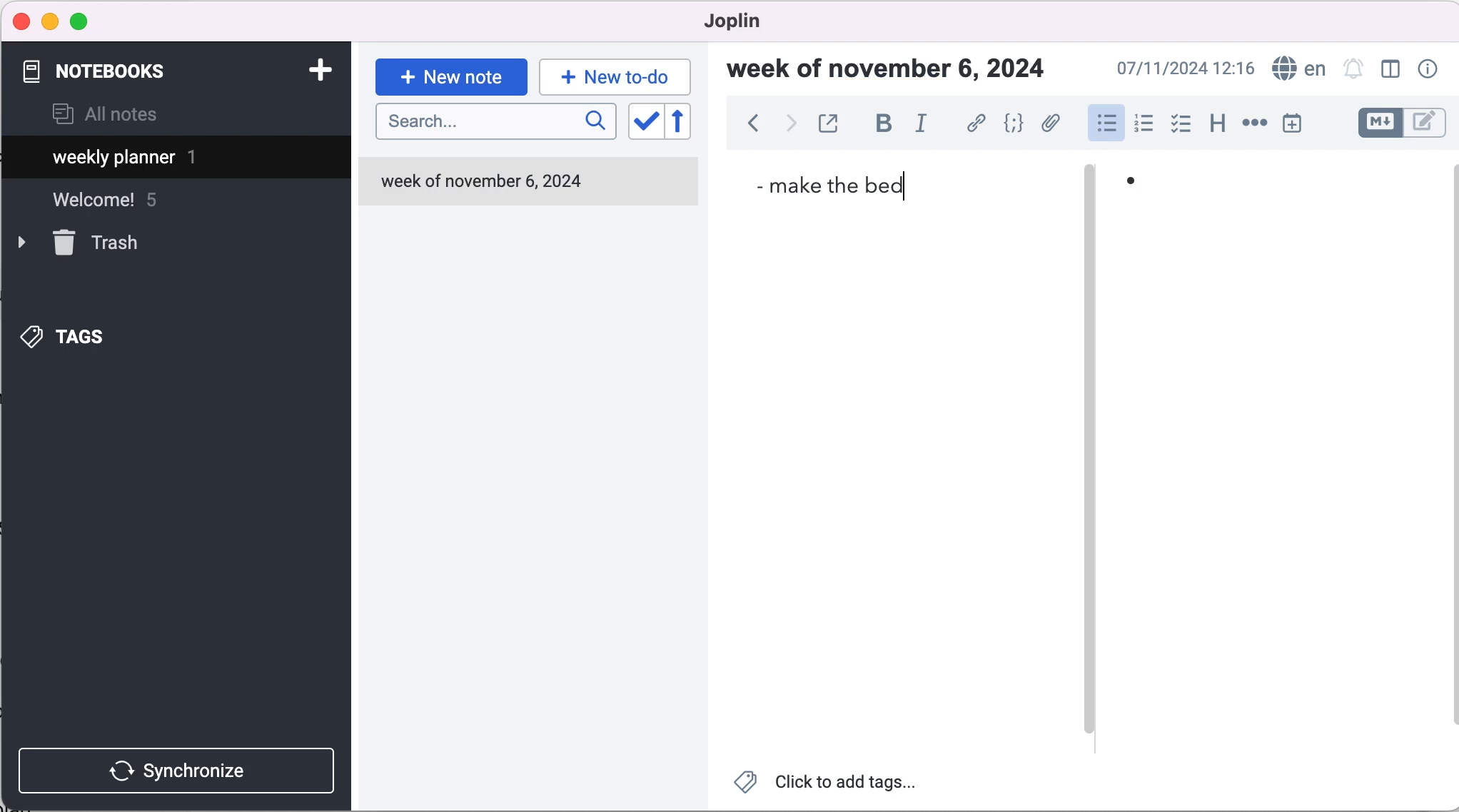  I want to click on buller 1, so click(1144, 188).